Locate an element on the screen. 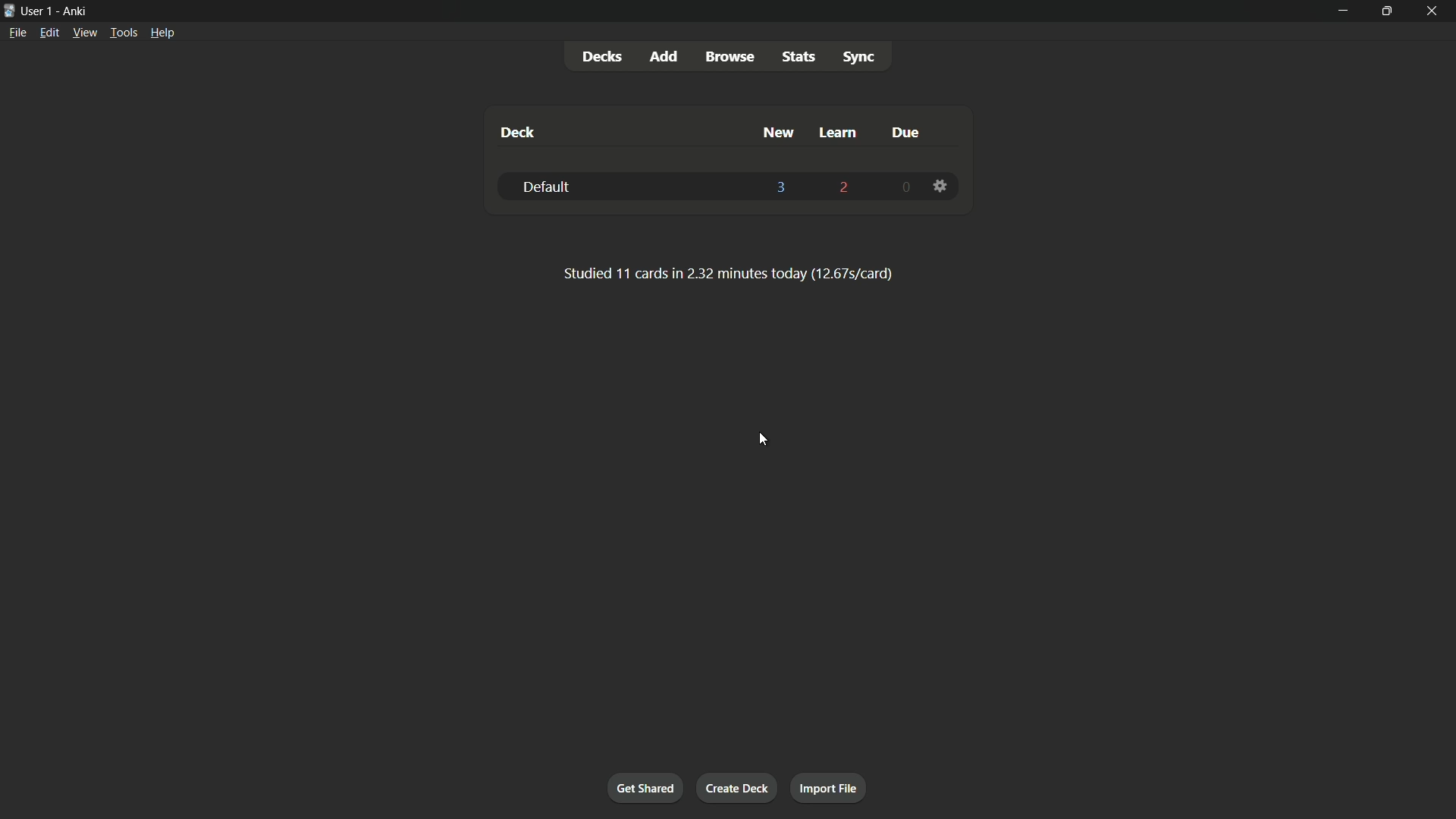 The image size is (1456, 819). learn is located at coordinates (839, 133).